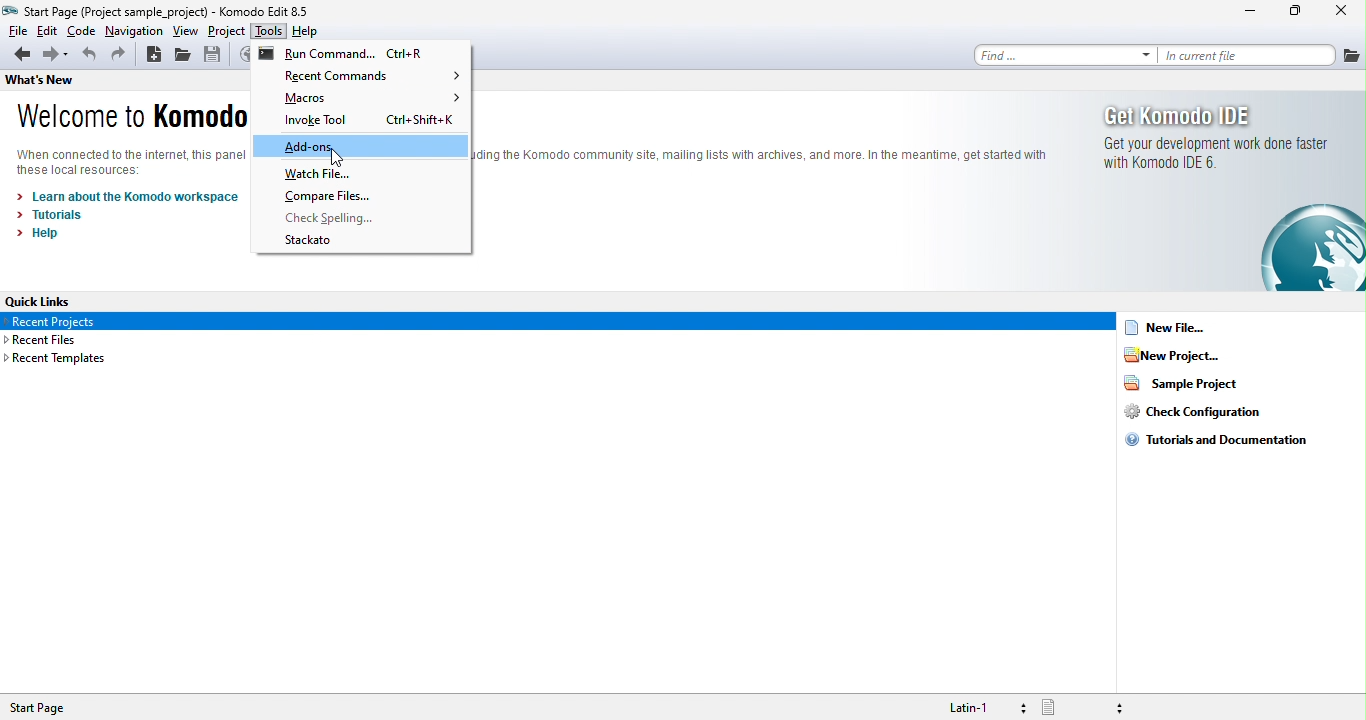  Describe the element at coordinates (57, 56) in the screenshot. I see `forward` at that location.